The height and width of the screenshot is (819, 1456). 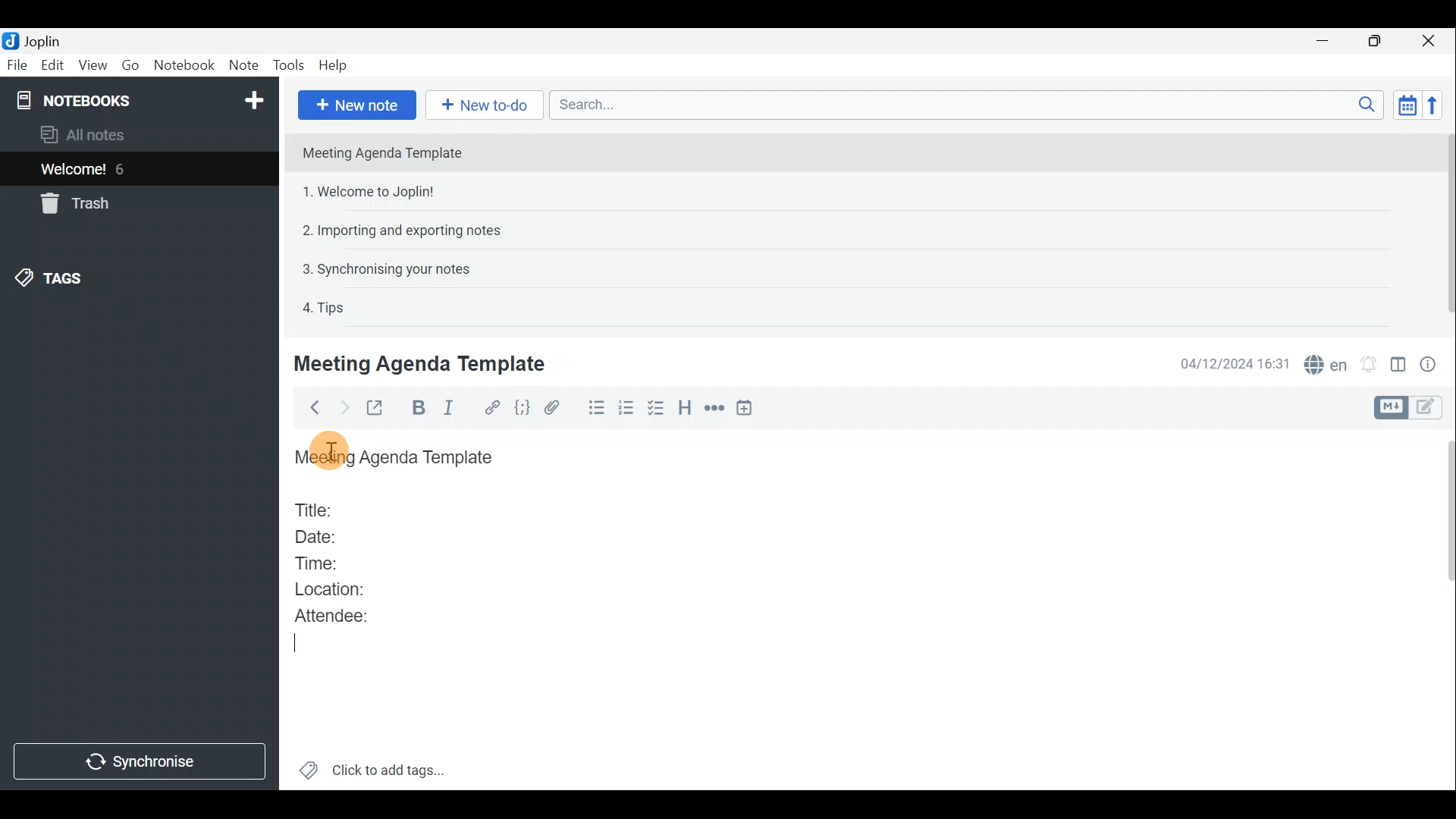 What do you see at coordinates (325, 307) in the screenshot?
I see `4. Tips` at bounding box center [325, 307].